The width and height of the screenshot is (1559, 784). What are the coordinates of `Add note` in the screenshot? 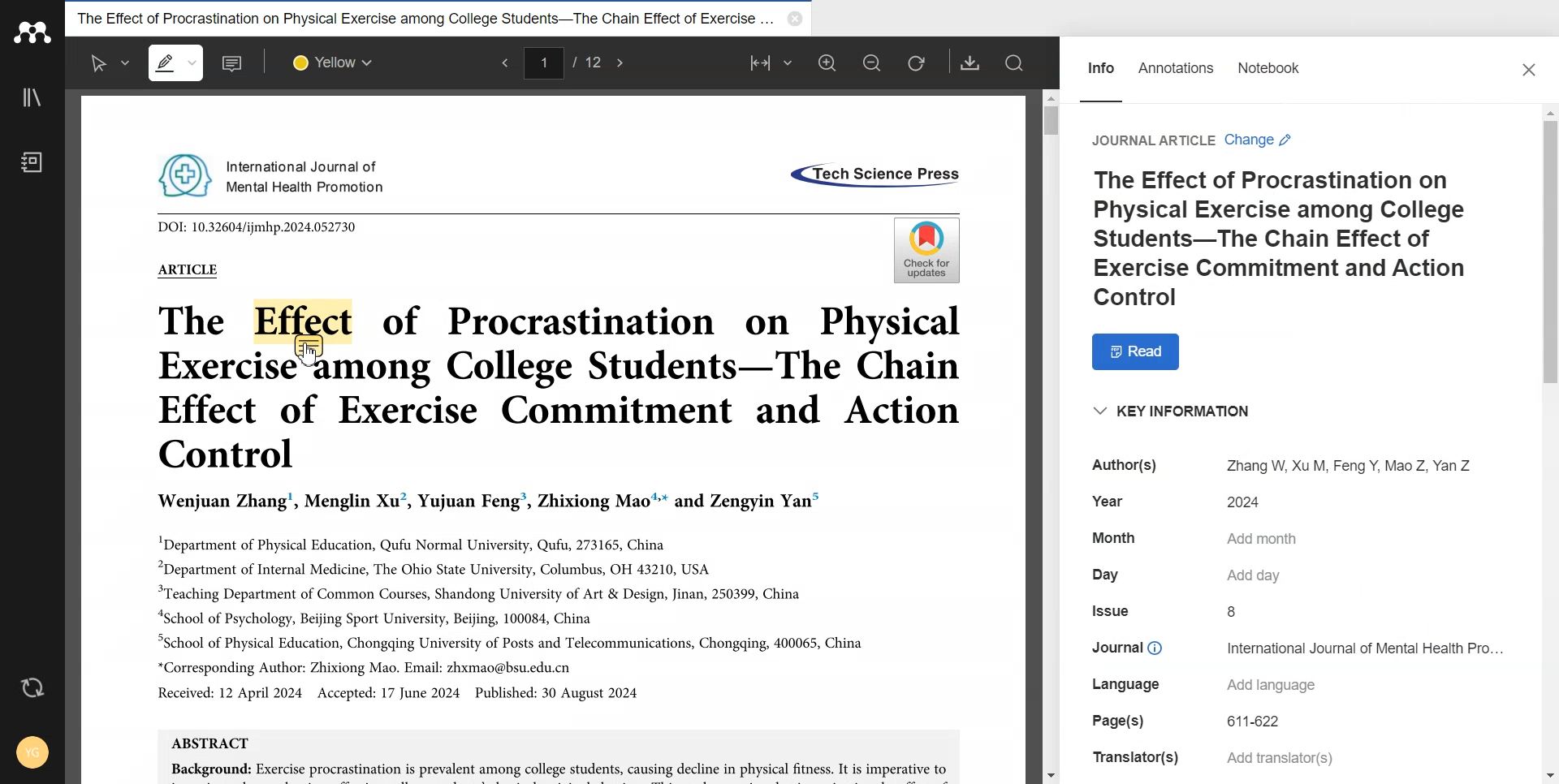 It's located at (235, 63).